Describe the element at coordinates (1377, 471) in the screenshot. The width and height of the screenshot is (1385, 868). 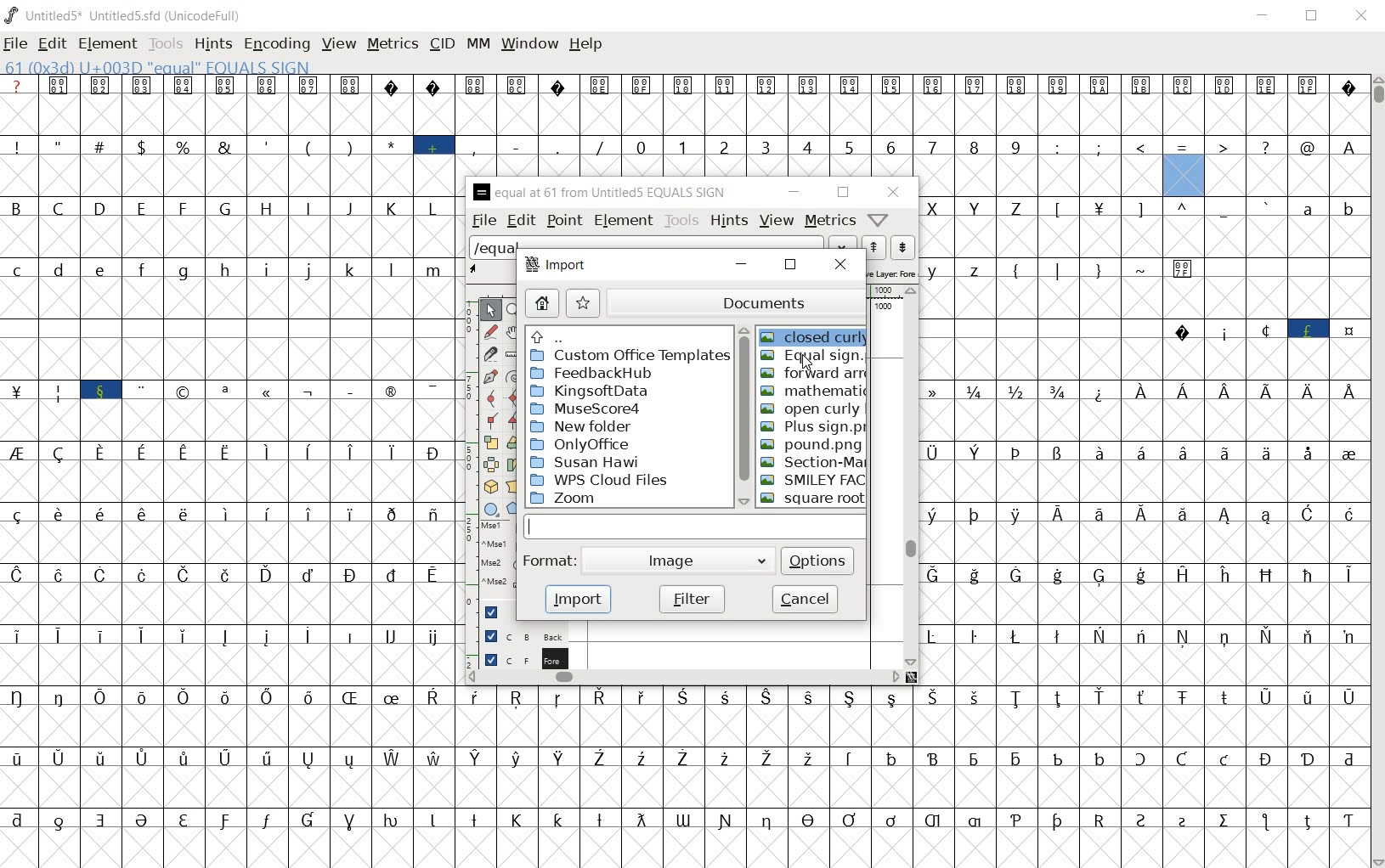
I see `scrollbar` at that location.